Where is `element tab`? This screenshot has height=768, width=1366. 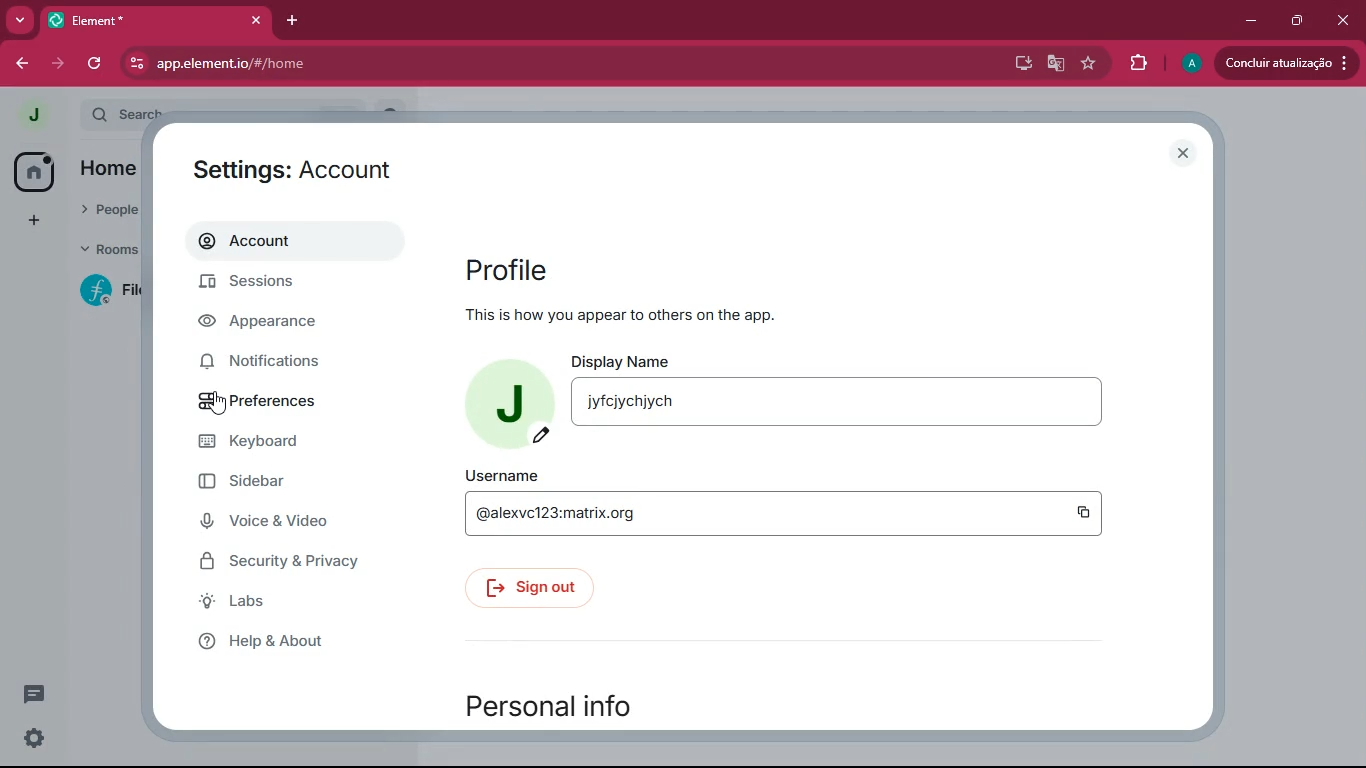 element tab is located at coordinates (158, 21).